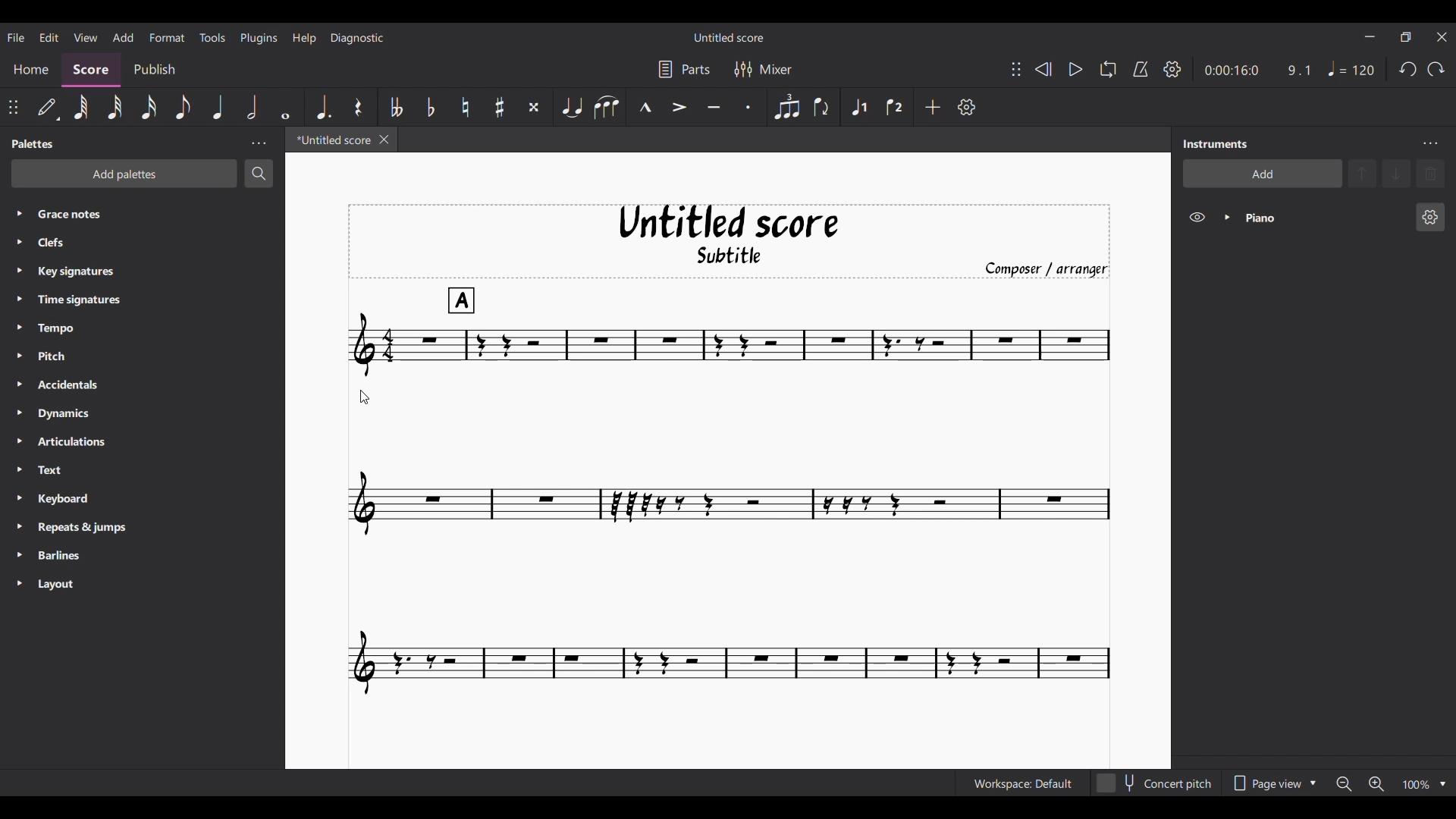 This screenshot has height=819, width=1456. What do you see at coordinates (329, 140) in the screenshot?
I see `Current tab` at bounding box center [329, 140].